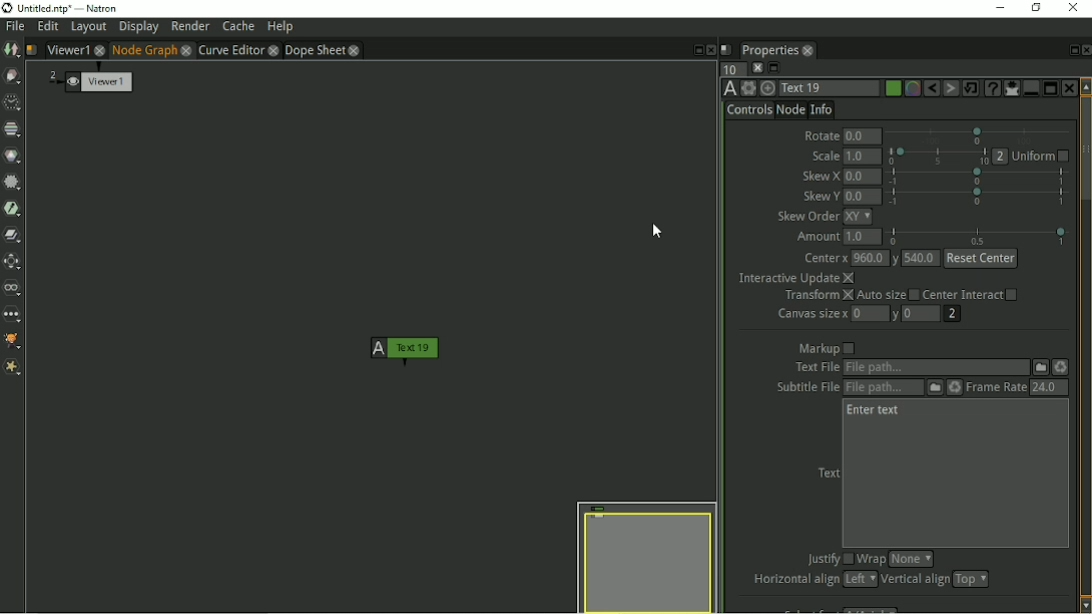 This screenshot has height=614, width=1092. What do you see at coordinates (1051, 86) in the screenshot?
I see `Separate panel ` at bounding box center [1051, 86].